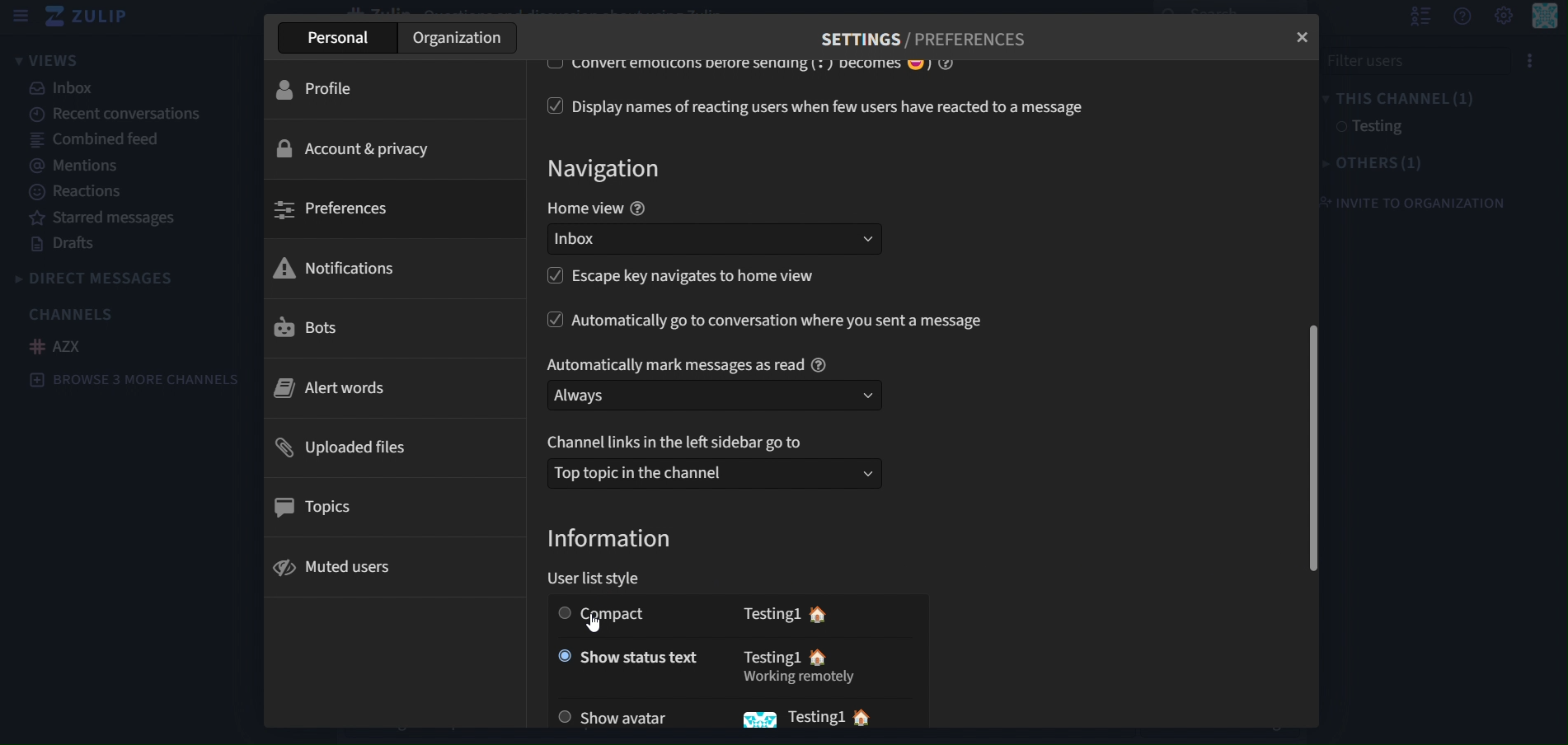  What do you see at coordinates (554, 280) in the screenshot?
I see `check box` at bounding box center [554, 280].